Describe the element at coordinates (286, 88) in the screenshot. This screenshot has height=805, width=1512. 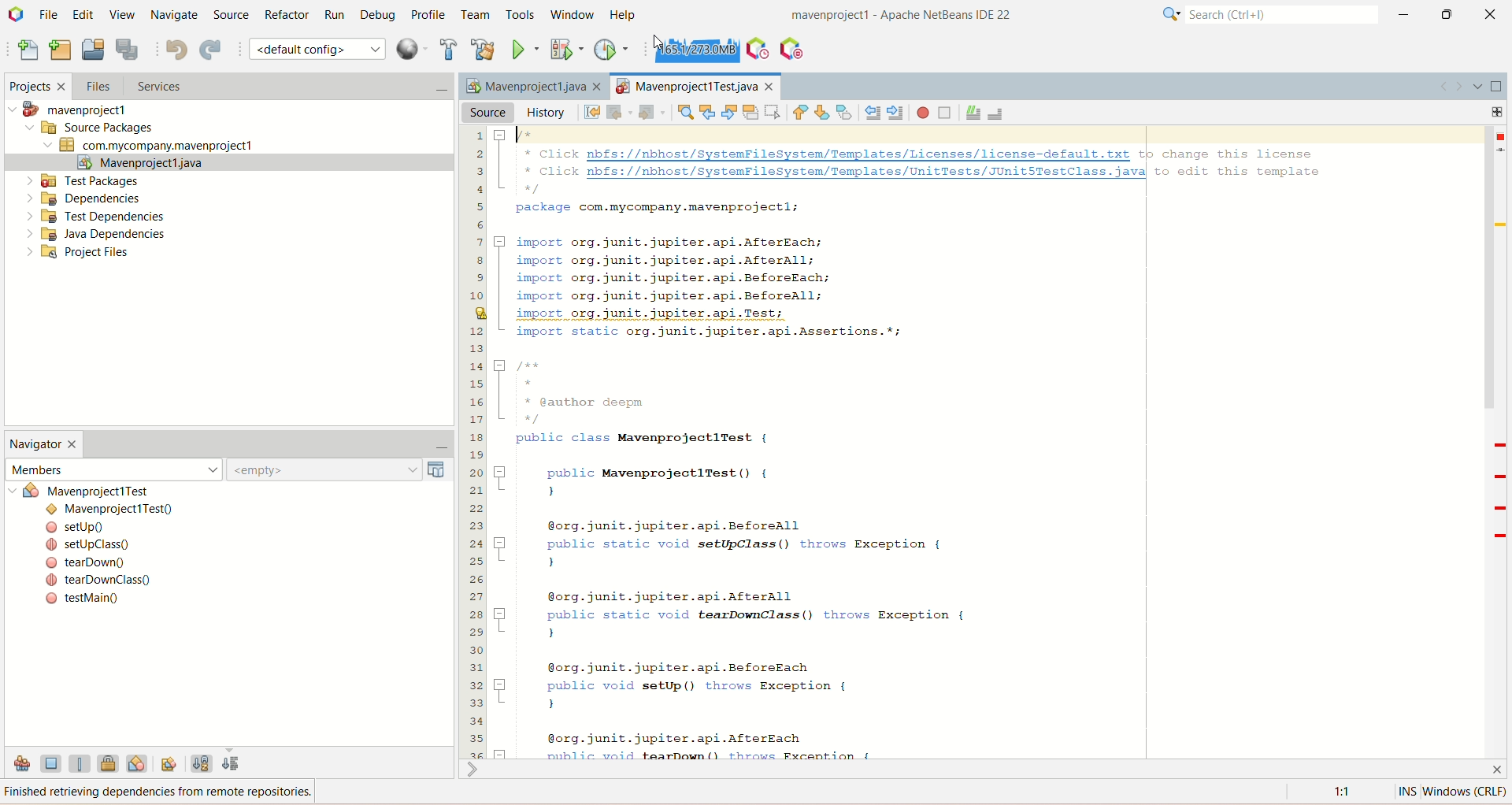
I see `services` at that location.